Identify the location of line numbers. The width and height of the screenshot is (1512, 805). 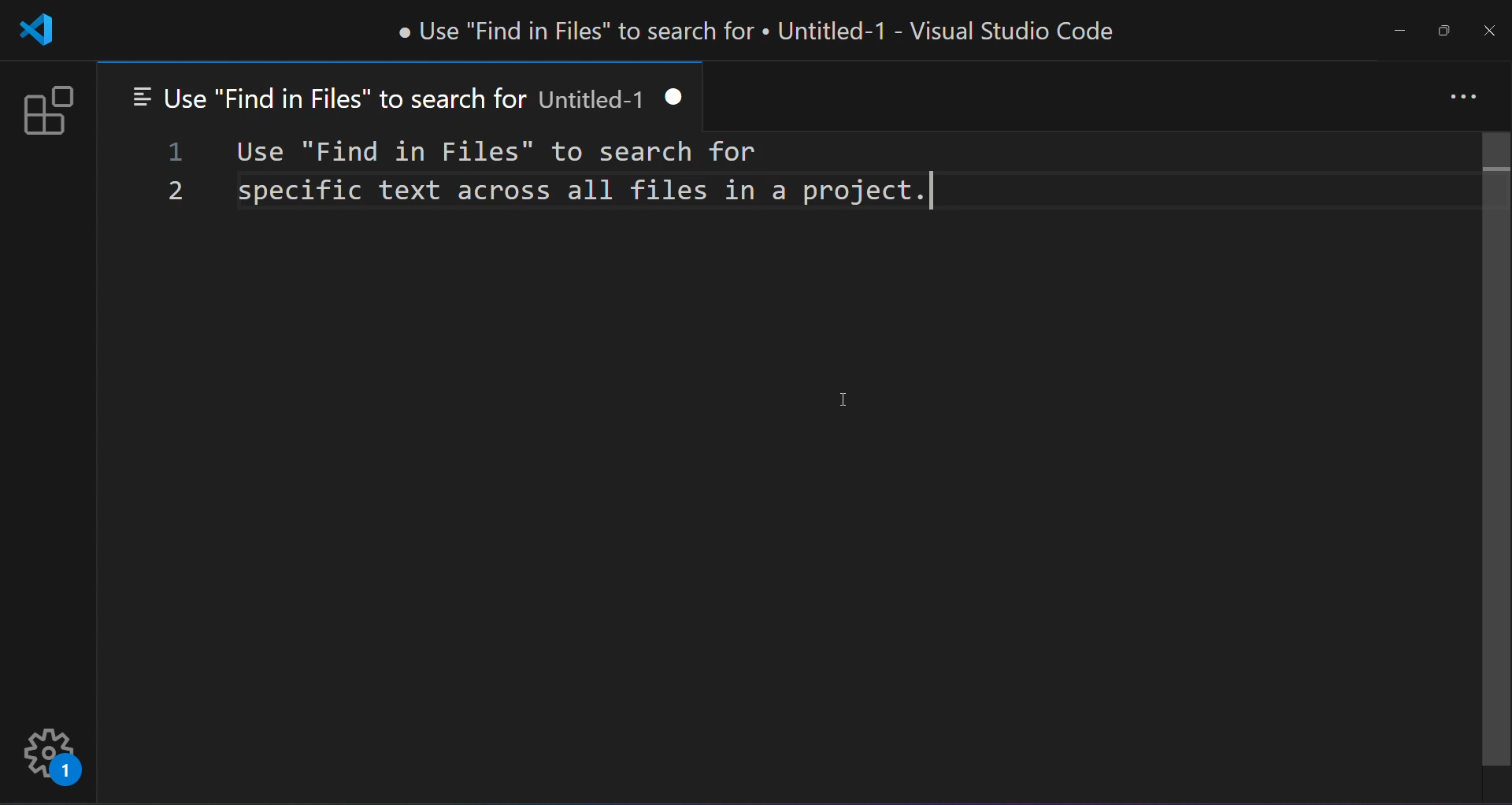
(172, 172).